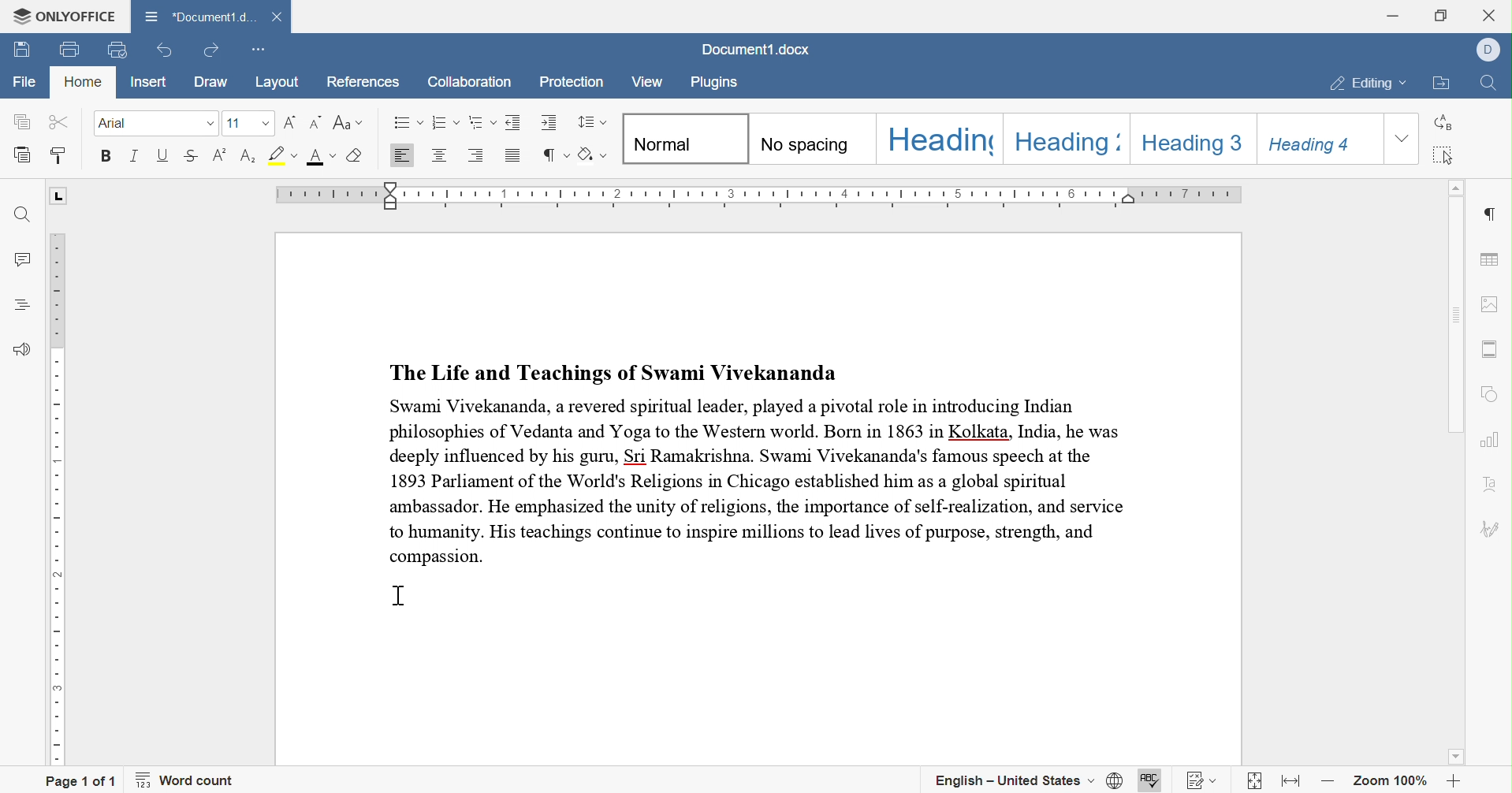 This screenshot has height=793, width=1512. What do you see at coordinates (1454, 784) in the screenshot?
I see `zoom in` at bounding box center [1454, 784].